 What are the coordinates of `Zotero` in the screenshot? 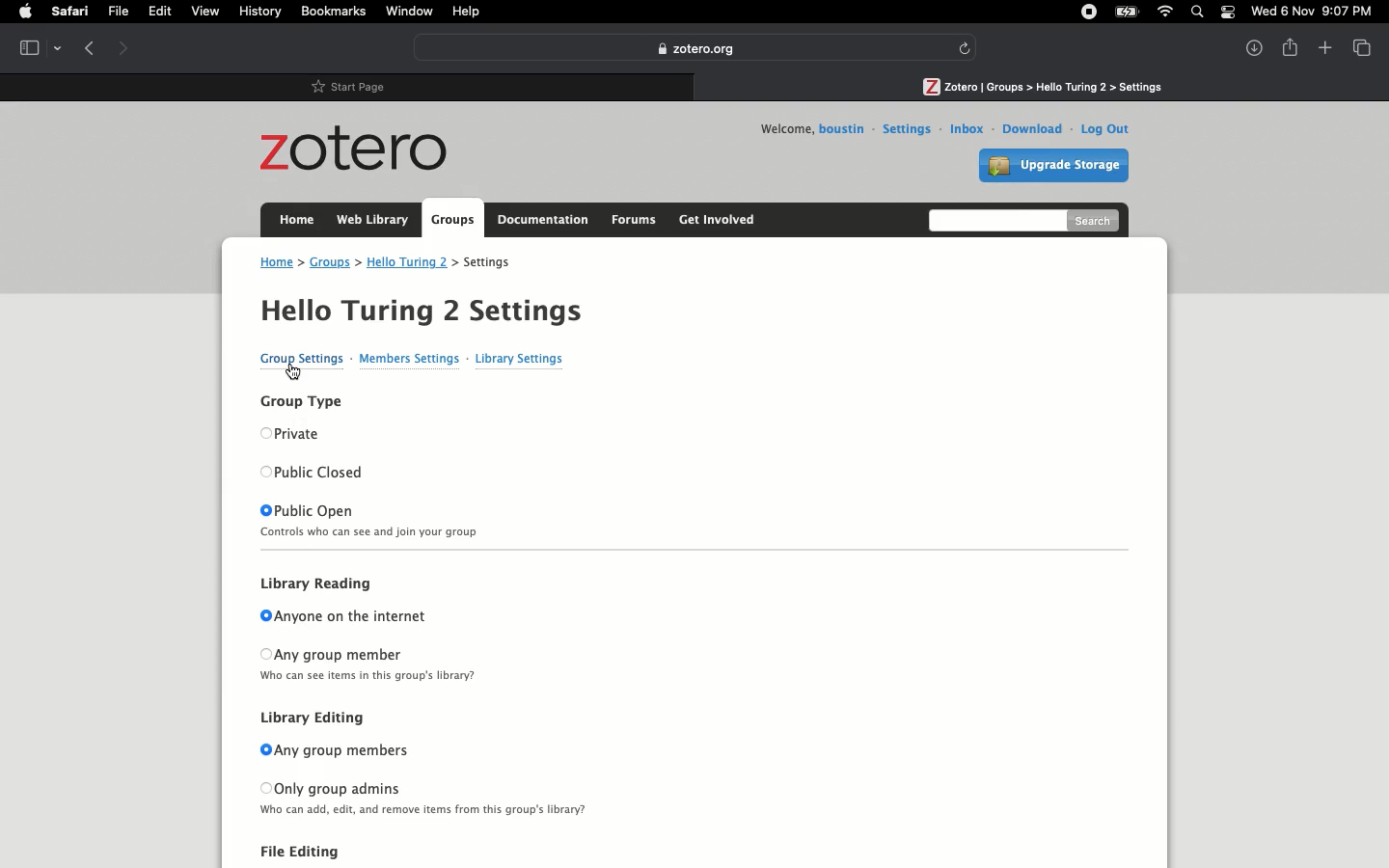 It's located at (694, 48).